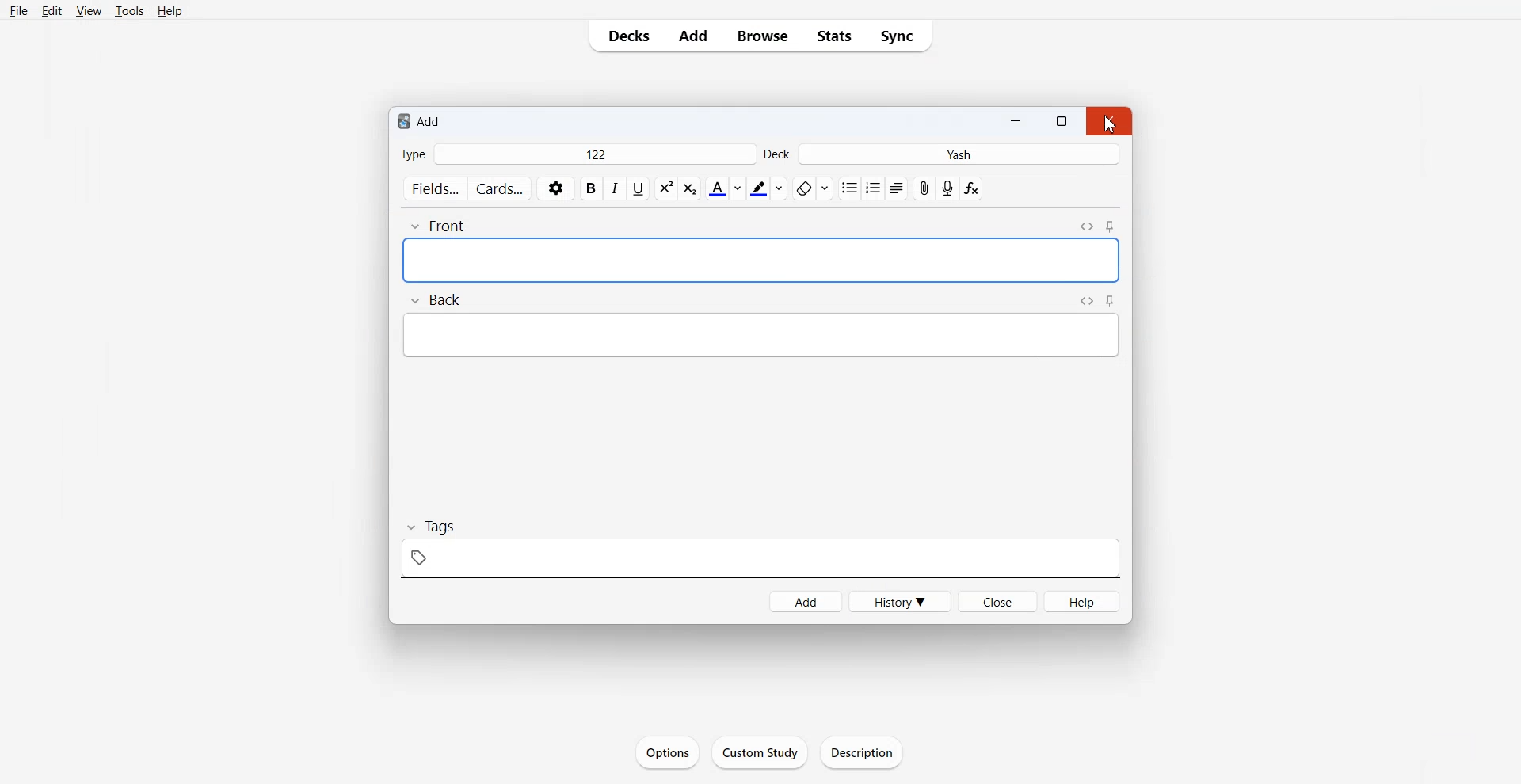 The image size is (1521, 784). I want to click on Description, so click(859, 752).